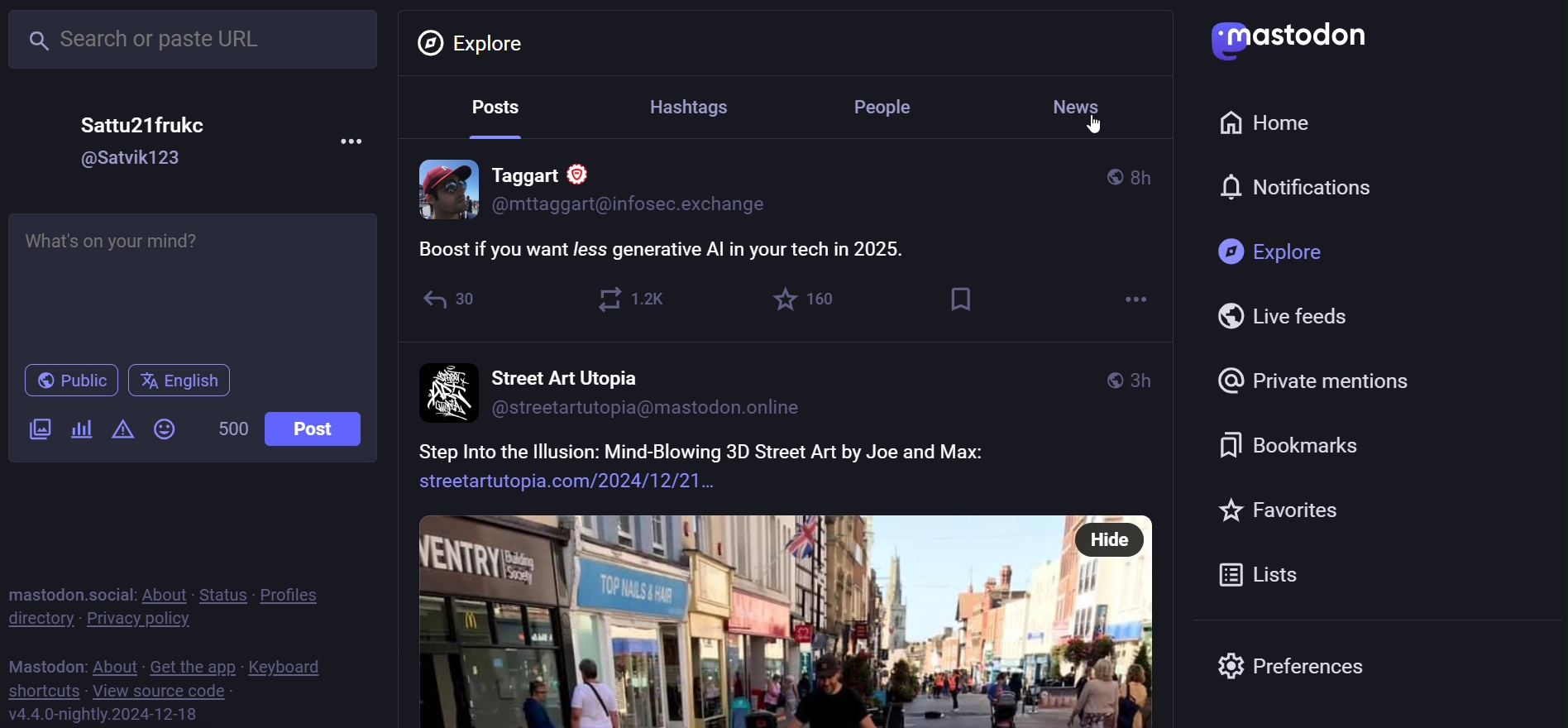 This screenshot has height=728, width=1568. Describe the element at coordinates (561, 376) in the screenshot. I see `Street Art Utopia` at that location.